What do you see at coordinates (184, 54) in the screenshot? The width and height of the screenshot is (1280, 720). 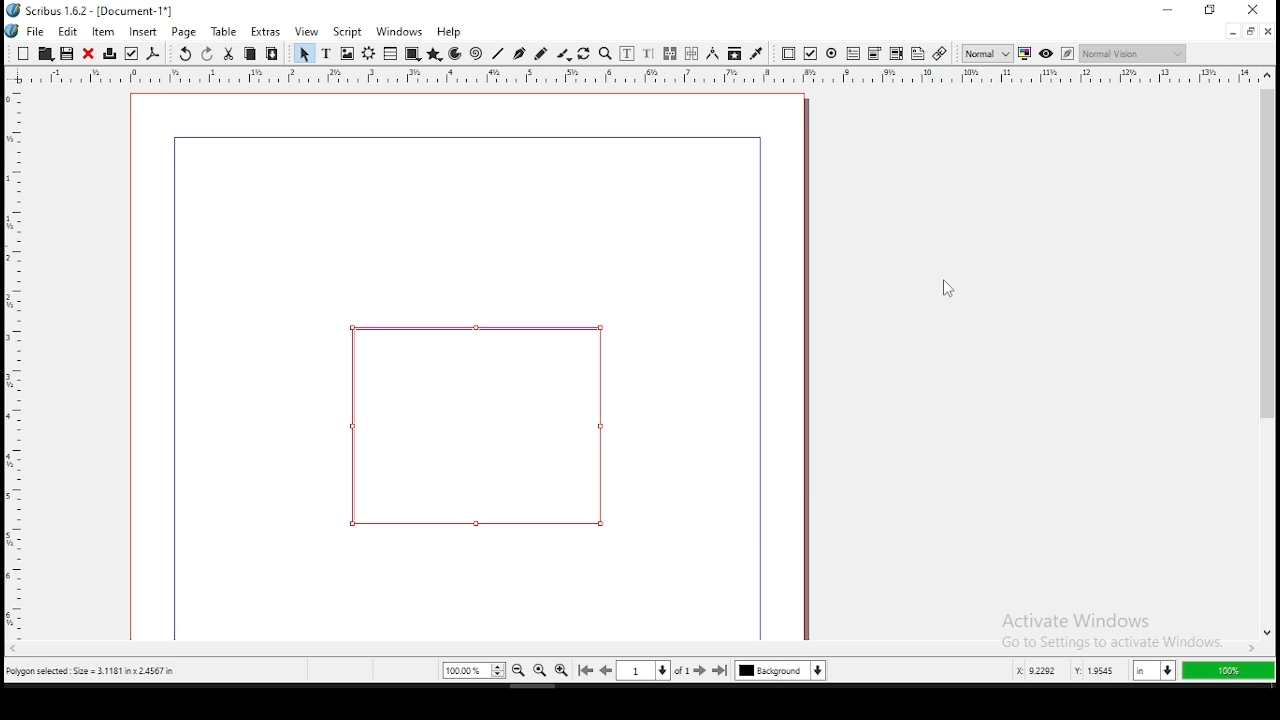 I see `undo` at bounding box center [184, 54].